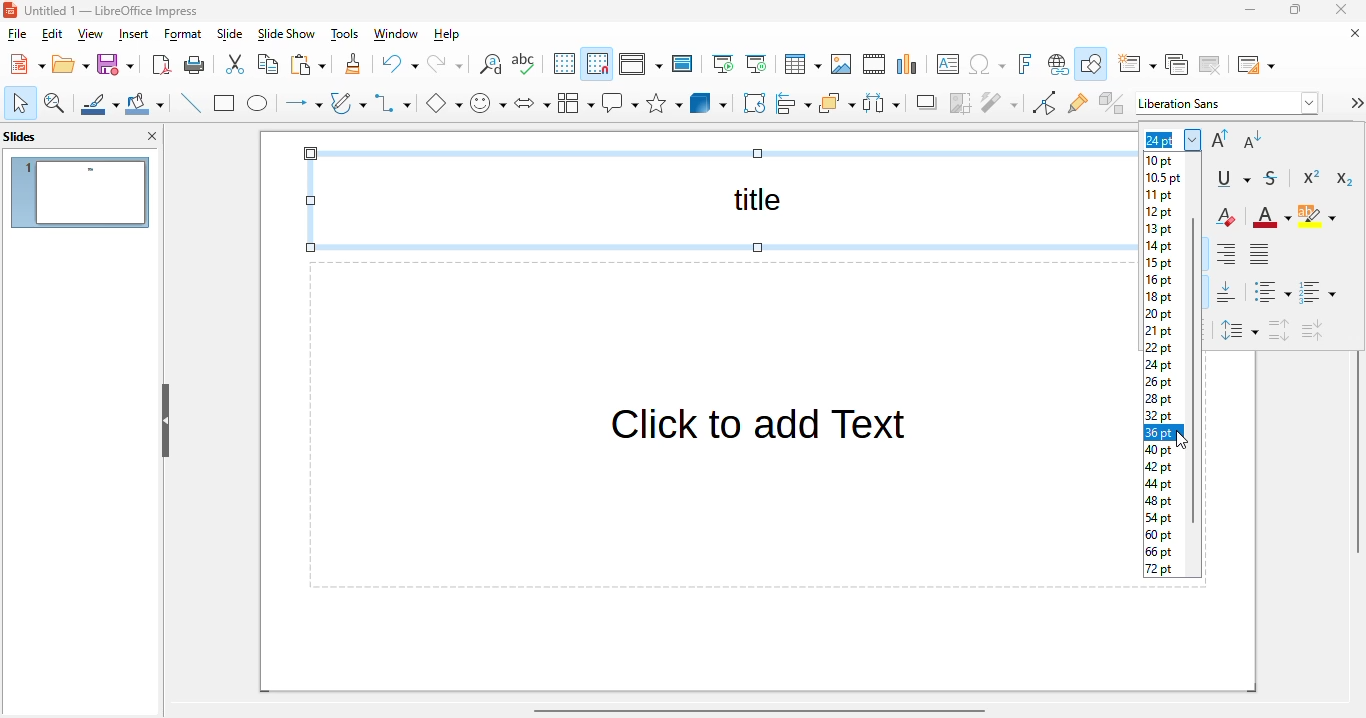 This screenshot has height=718, width=1366. I want to click on connectors, so click(393, 103).